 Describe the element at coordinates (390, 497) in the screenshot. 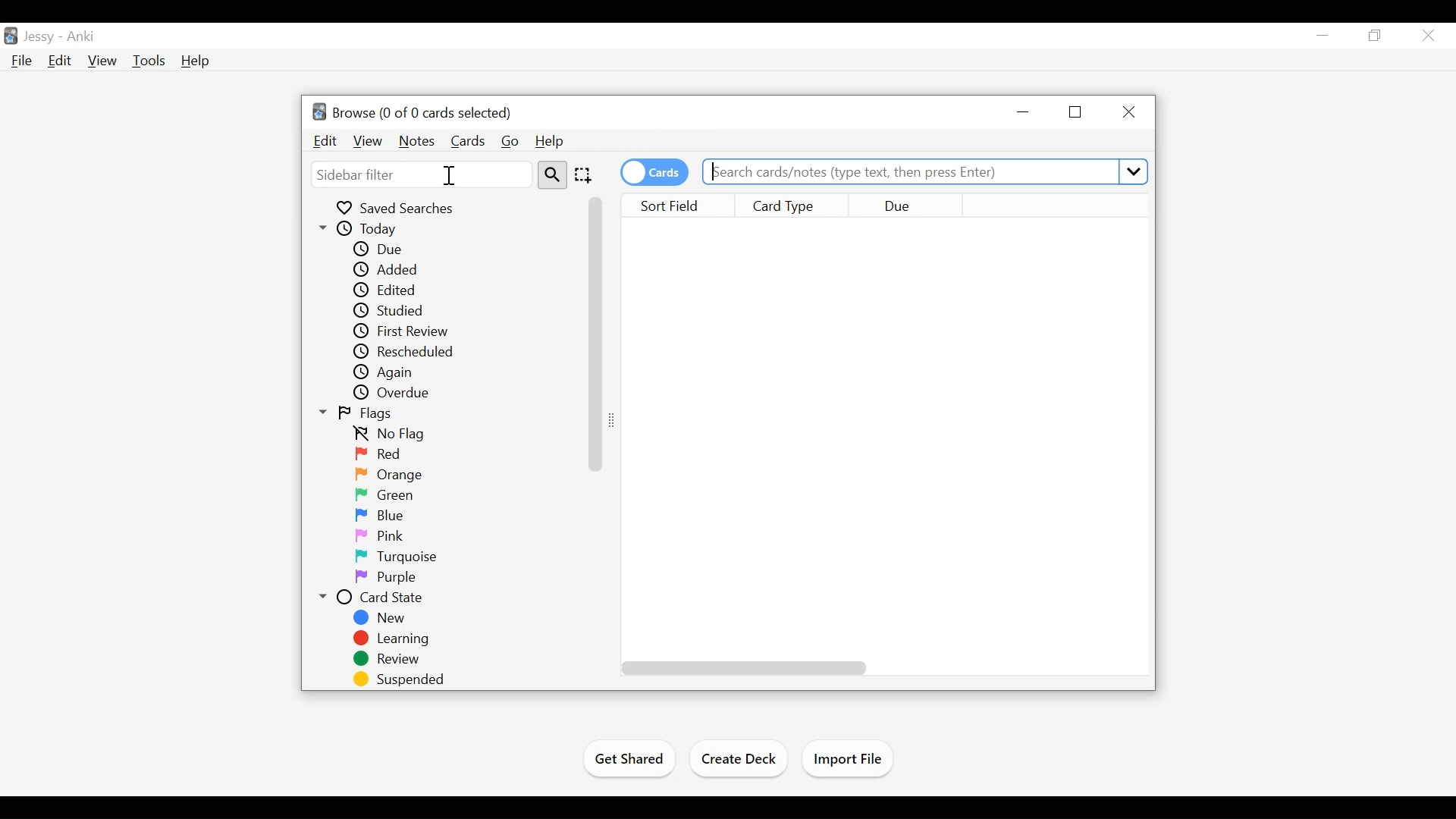

I see `Green` at that location.